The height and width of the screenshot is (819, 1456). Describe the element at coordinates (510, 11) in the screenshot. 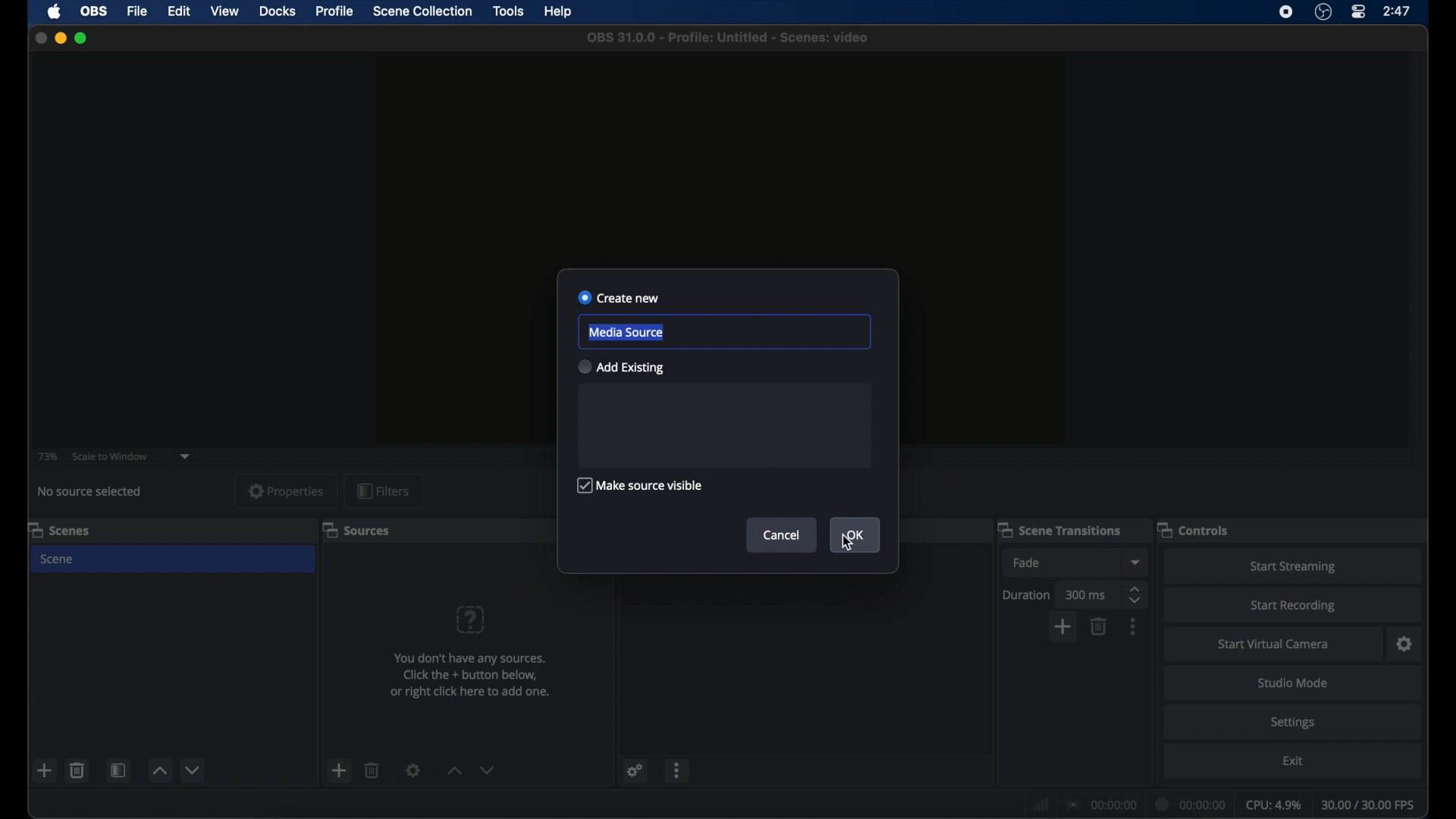

I see `tools` at that location.